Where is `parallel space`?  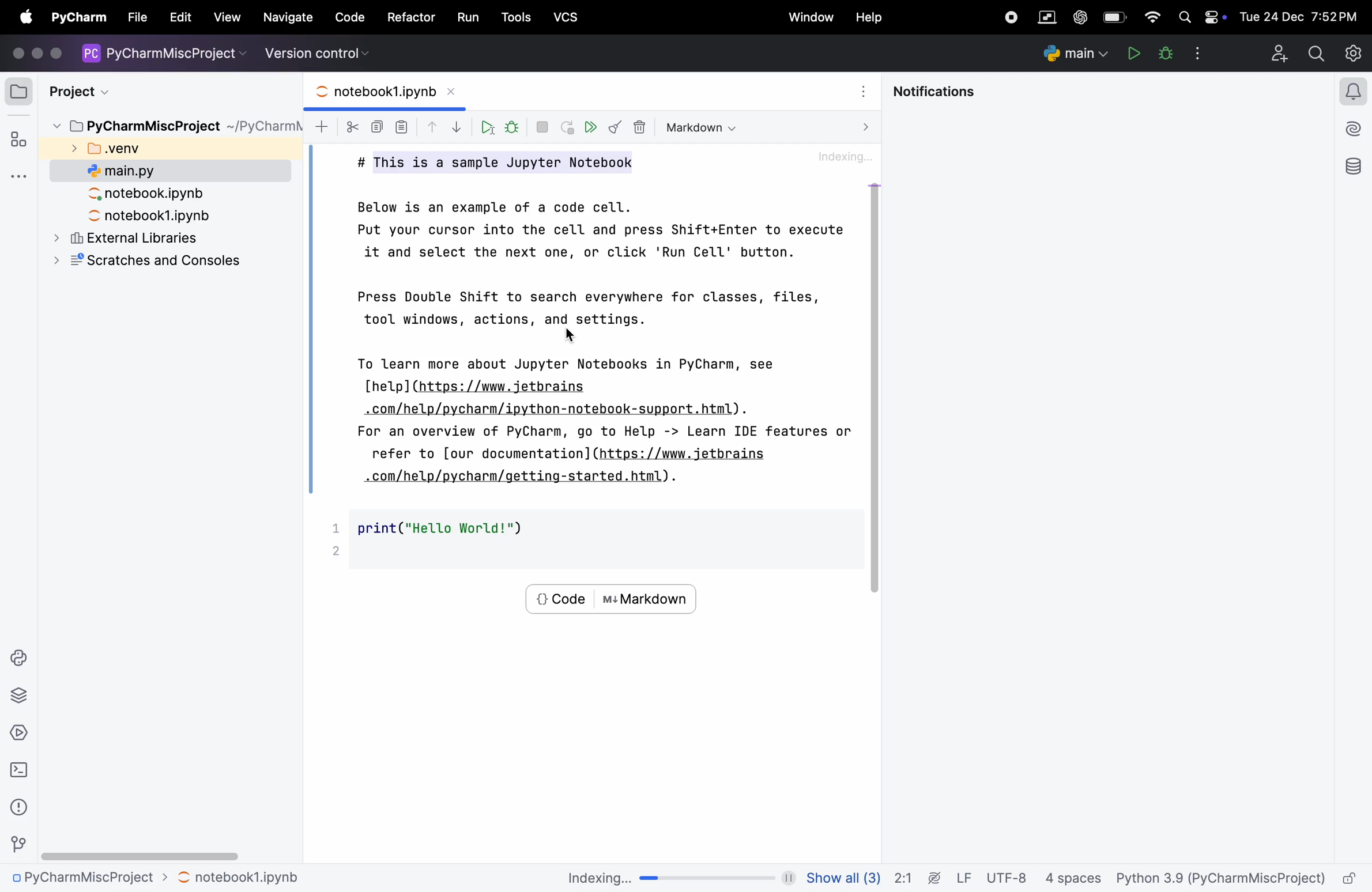
parallel space is located at coordinates (1045, 20).